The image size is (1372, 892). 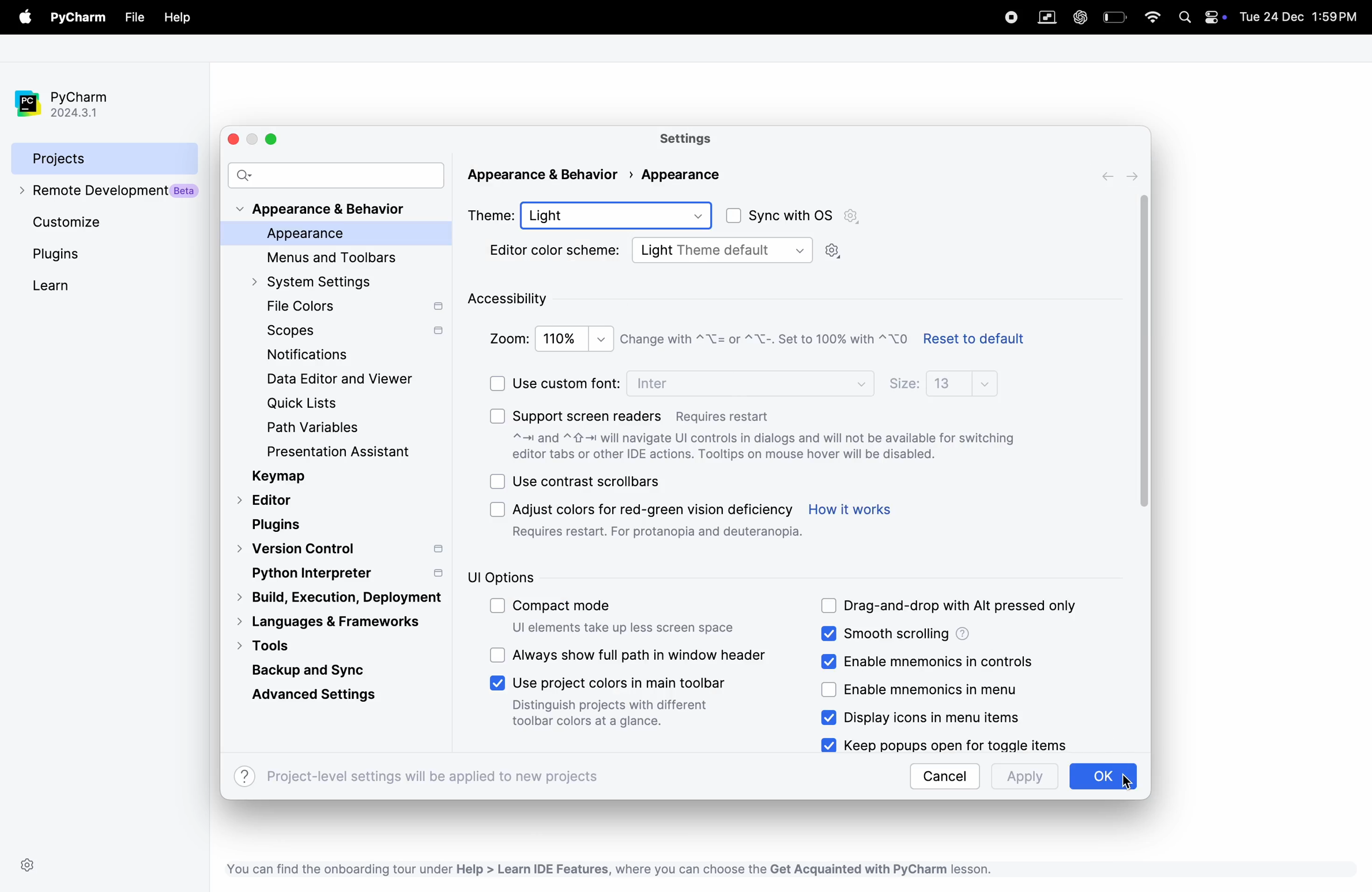 What do you see at coordinates (594, 482) in the screenshot?
I see `use contrast scrollbar` at bounding box center [594, 482].